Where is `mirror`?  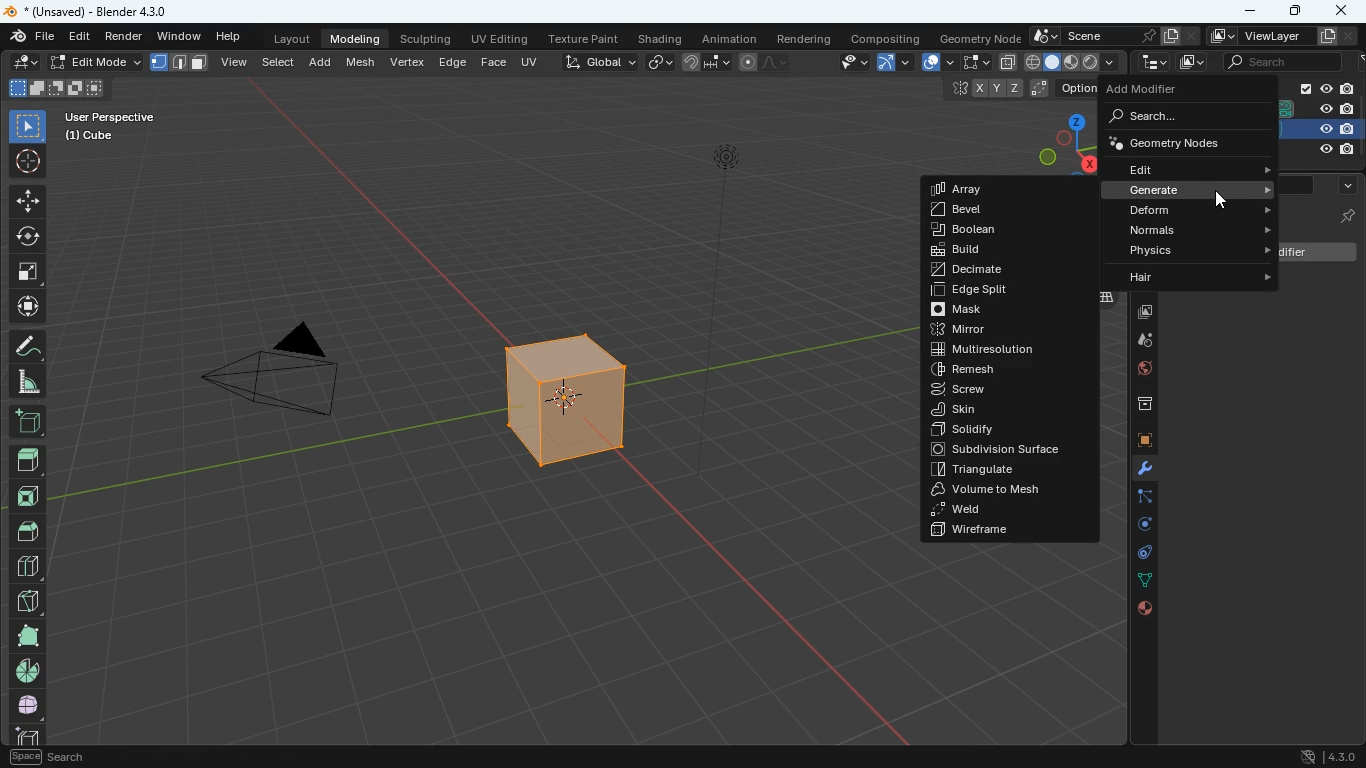
mirror is located at coordinates (997, 330).